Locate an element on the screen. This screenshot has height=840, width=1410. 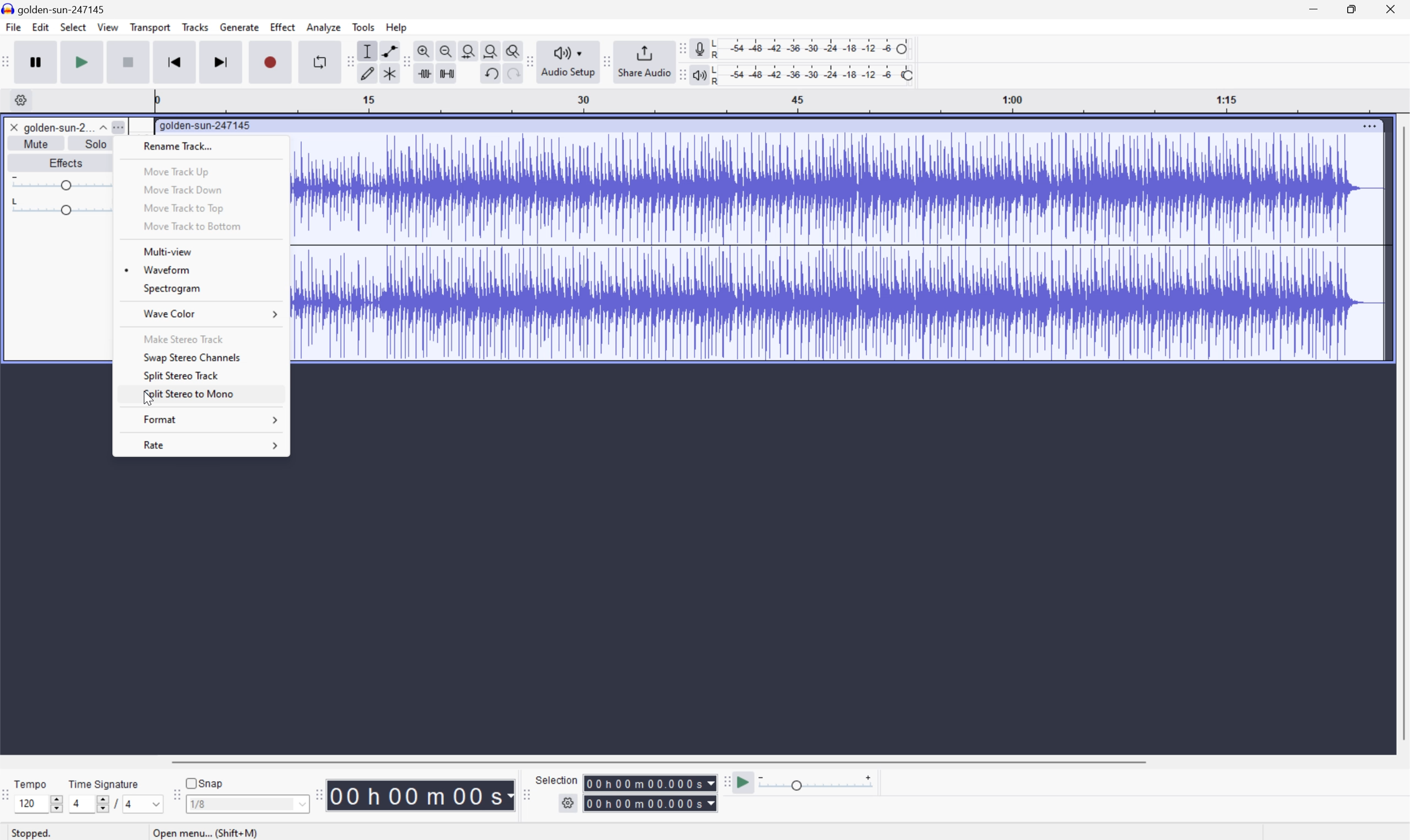
Snap is located at coordinates (206, 783).